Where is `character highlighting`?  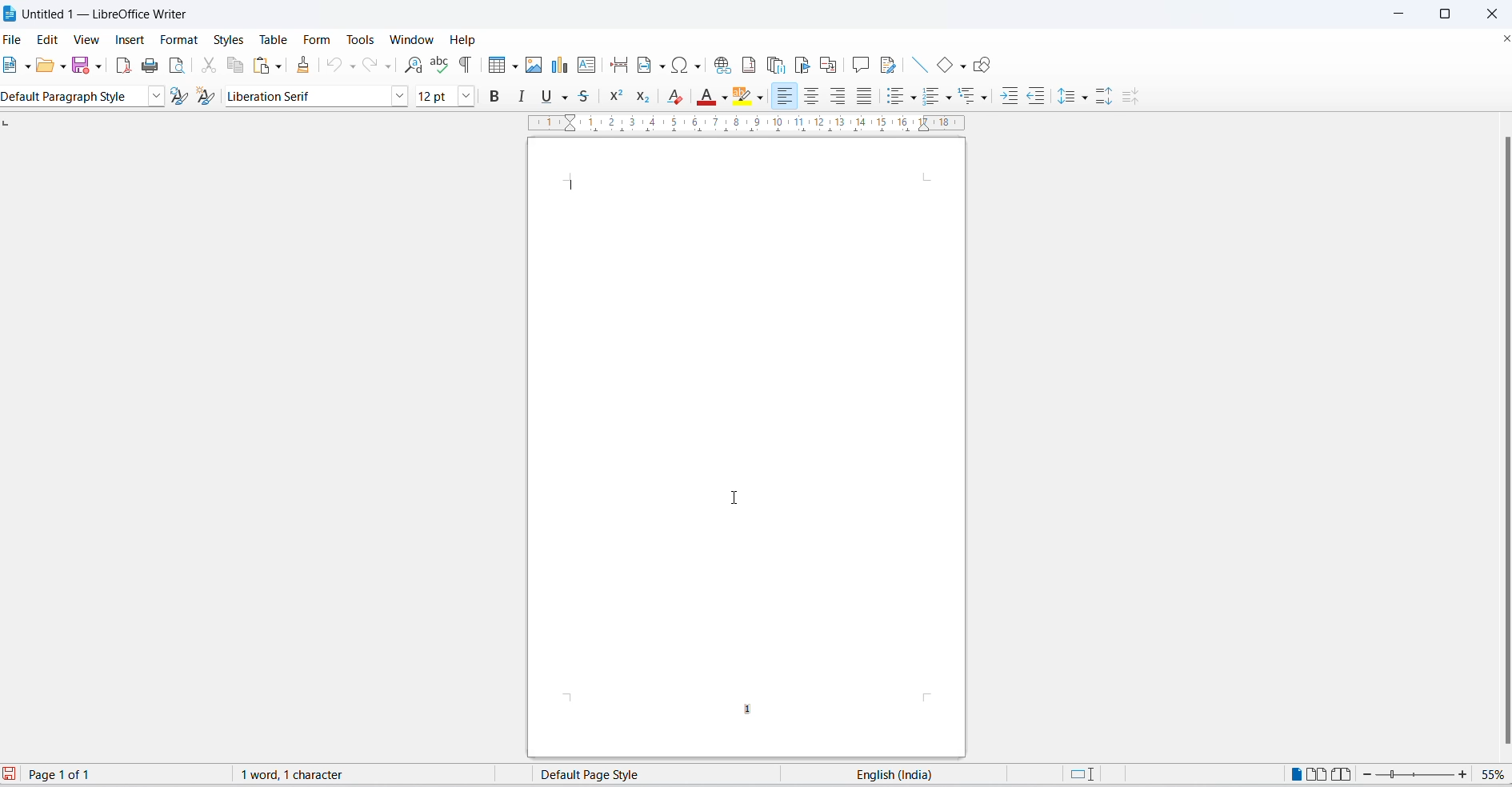 character highlighting is located at coordinates (744, 98).